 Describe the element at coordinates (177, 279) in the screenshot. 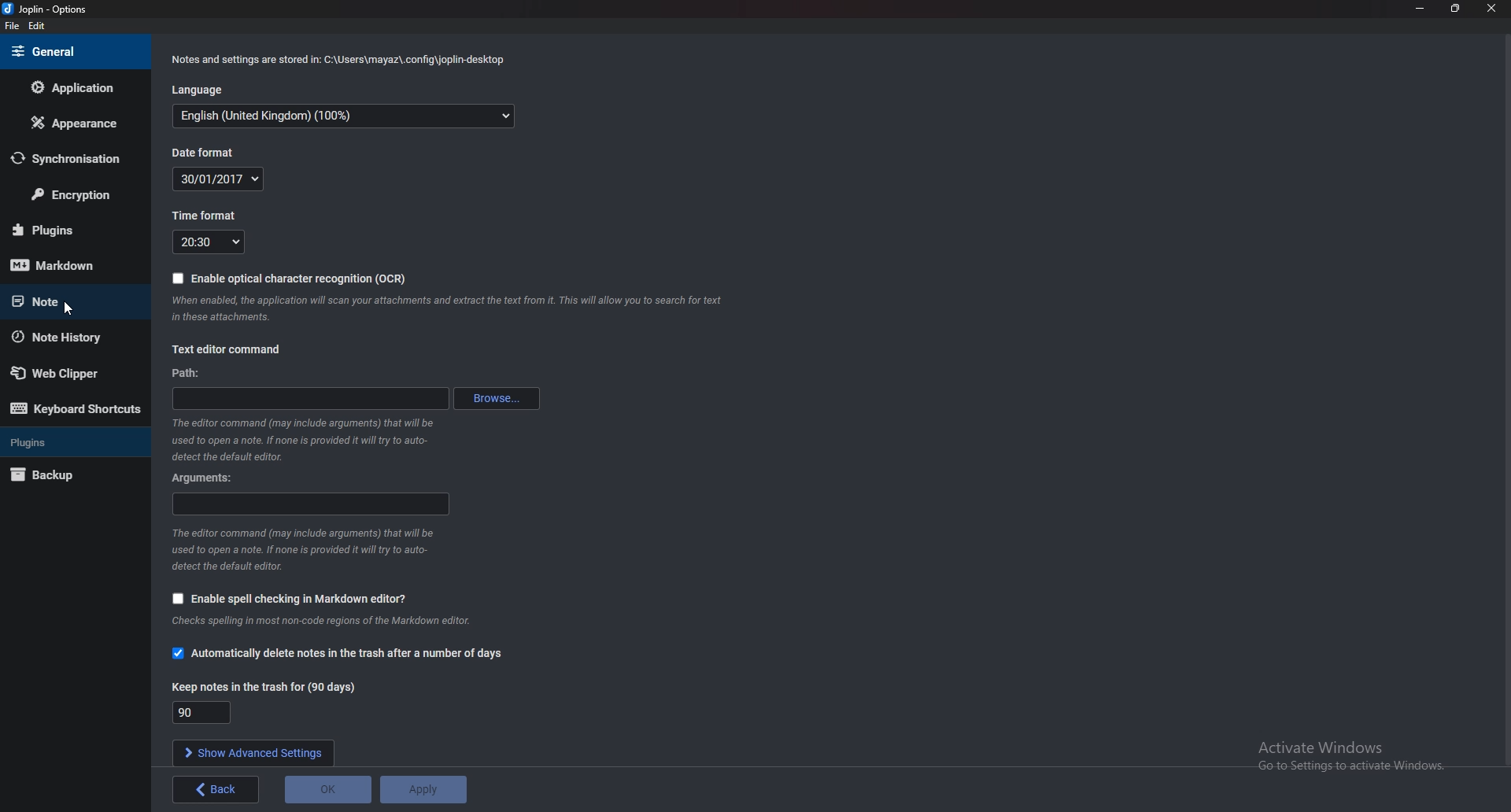

I see `Checkbox ` at that location.